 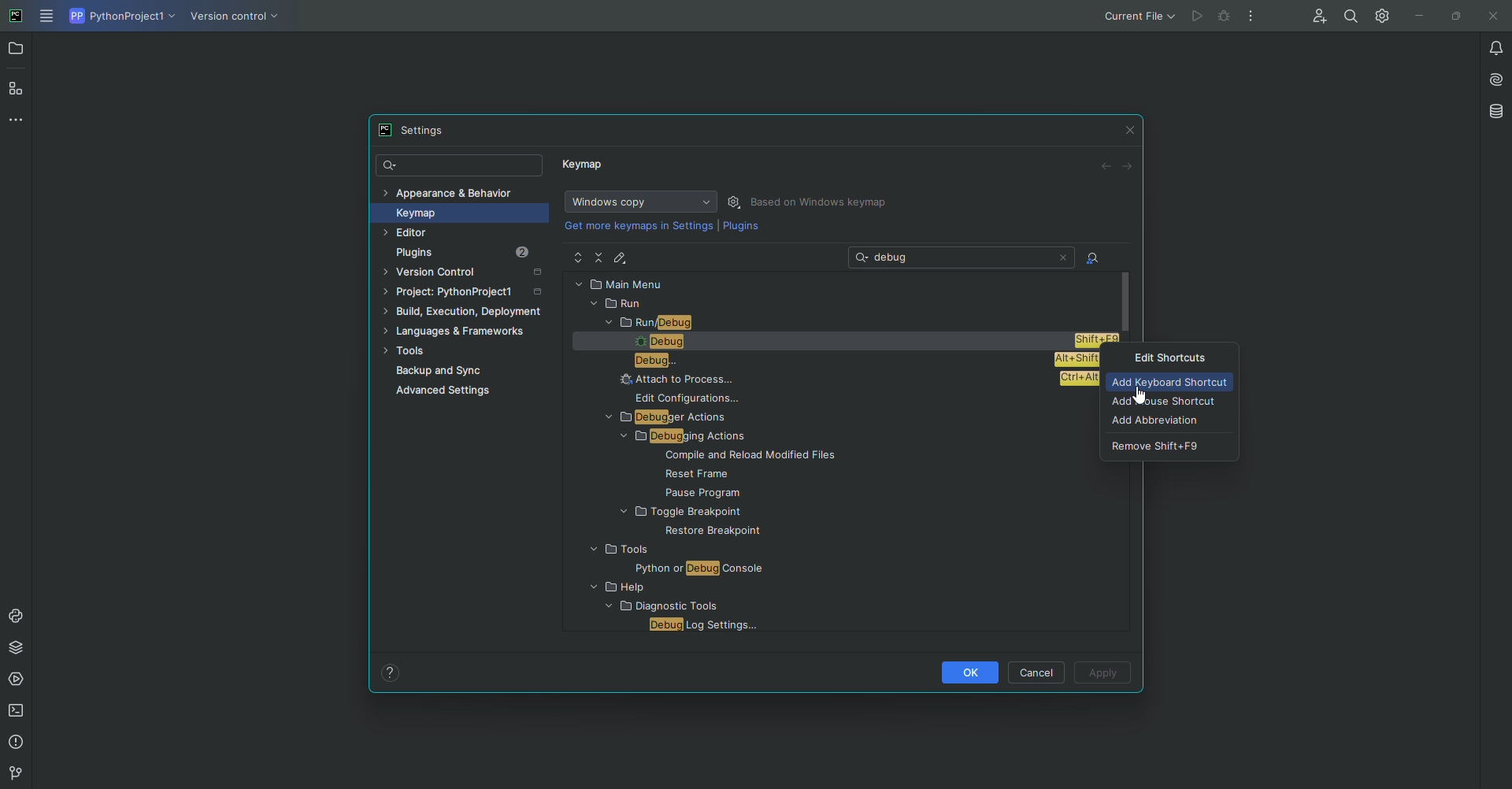 I want to click on Restore, so click(x=1452, y=15).